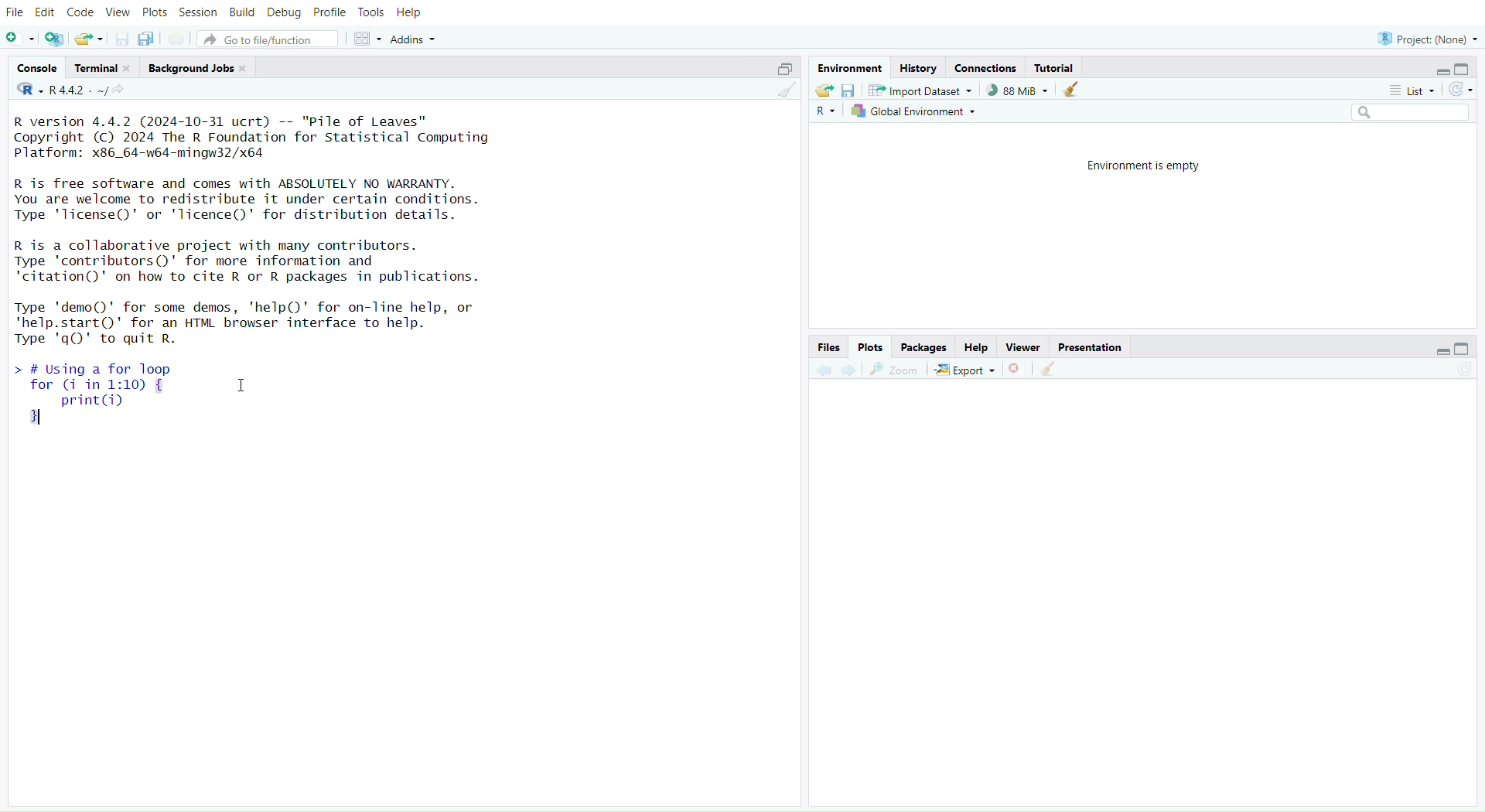  I want to click on list, so click(1405, 90).